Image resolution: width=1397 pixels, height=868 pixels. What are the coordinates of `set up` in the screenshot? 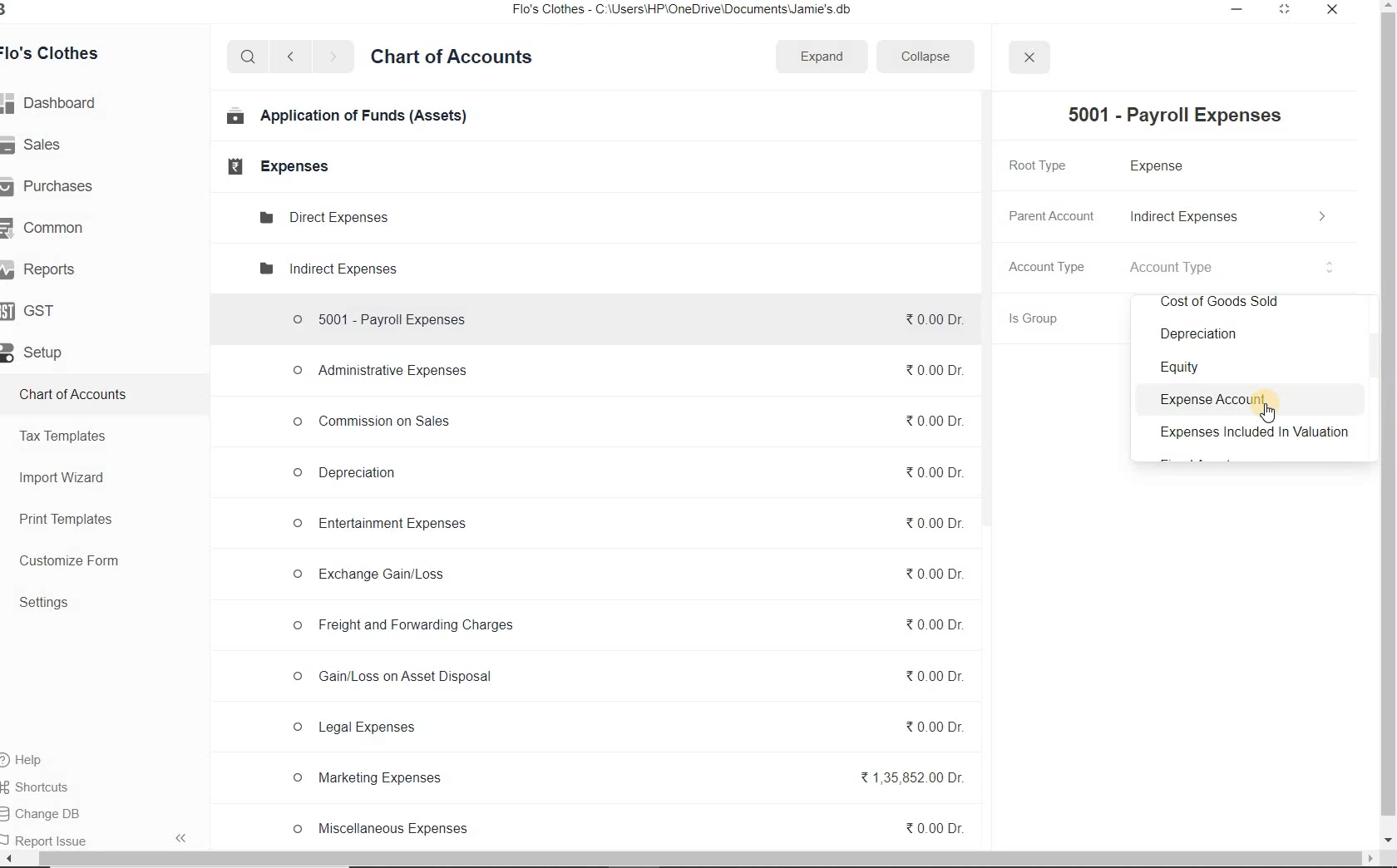 It's located at (39, 353).